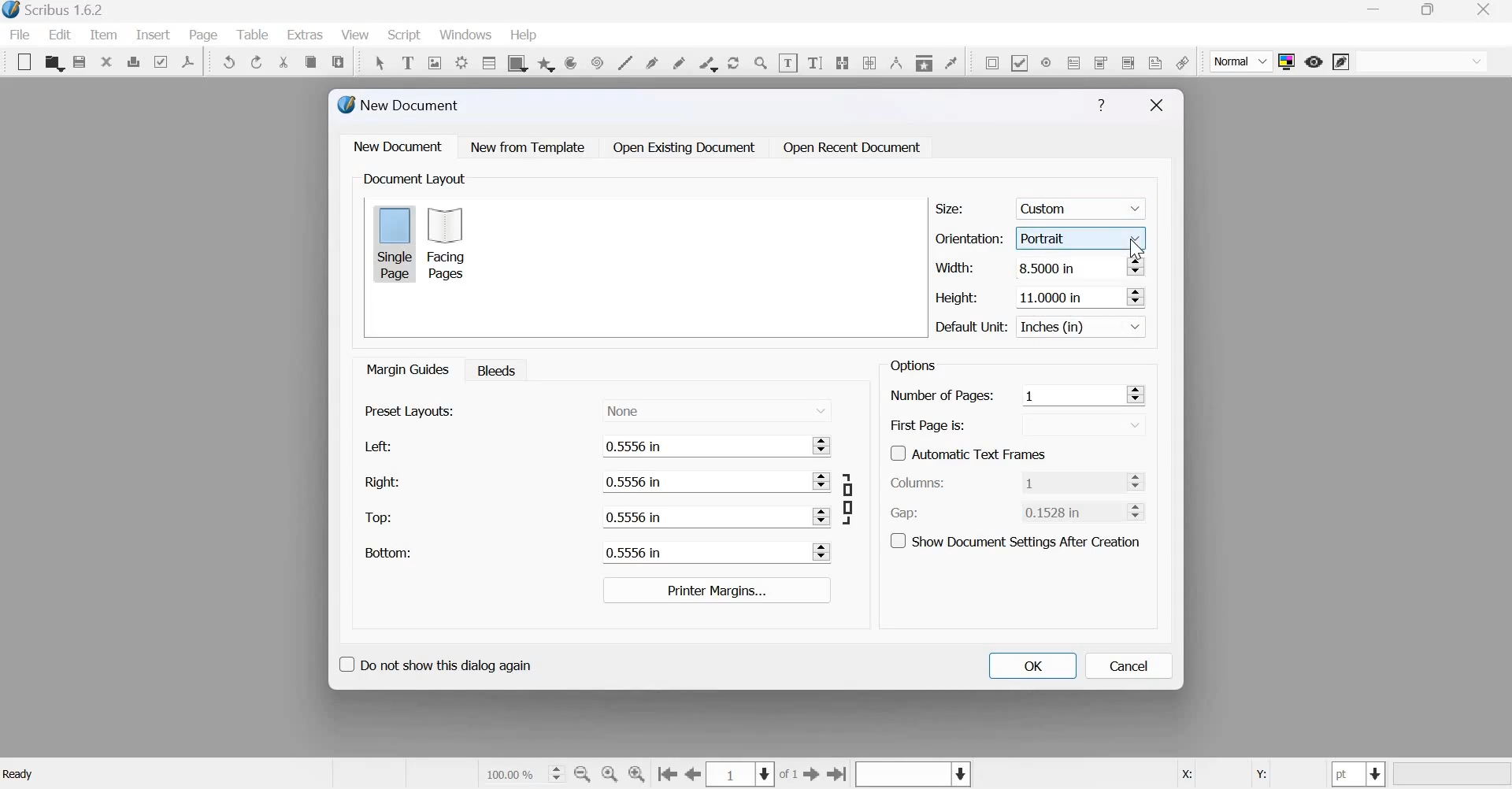 The image size is (1512, 789). I want to click on preview mode, so click(1314, 61).